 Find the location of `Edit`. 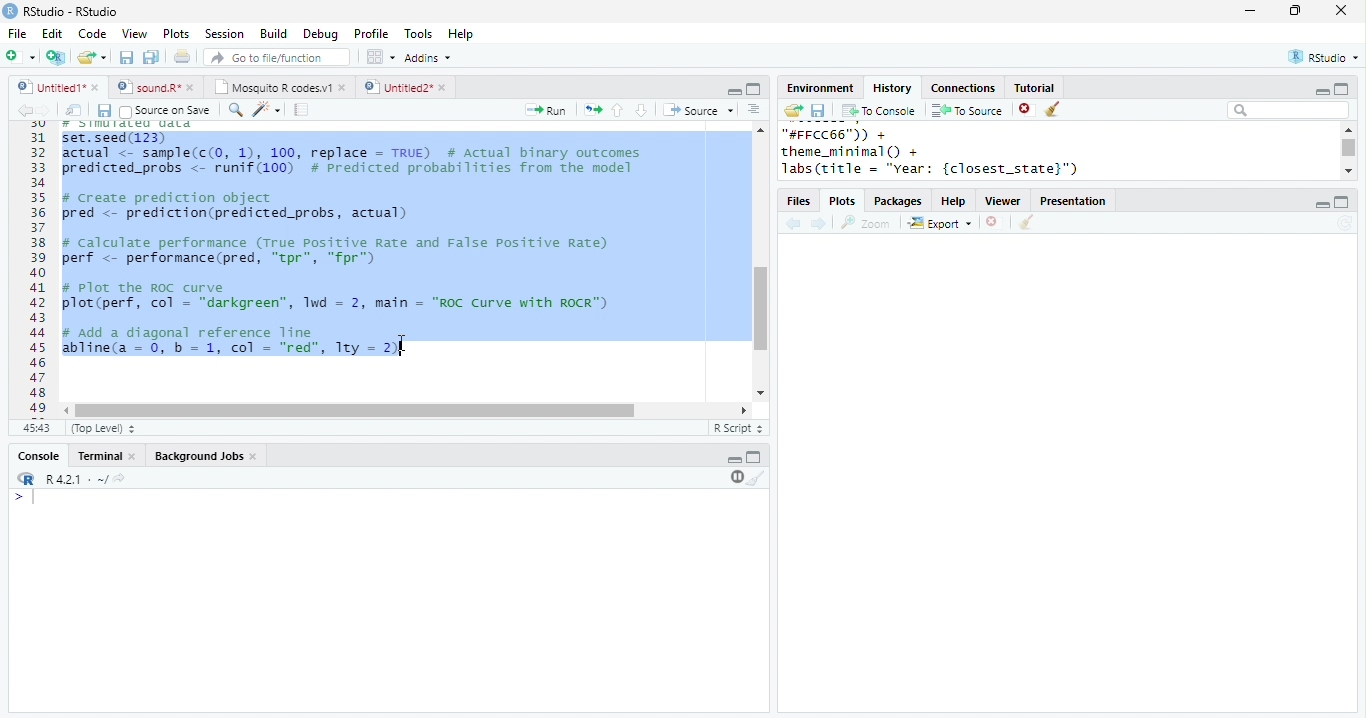

Edit is located at coordinates (52, 34).